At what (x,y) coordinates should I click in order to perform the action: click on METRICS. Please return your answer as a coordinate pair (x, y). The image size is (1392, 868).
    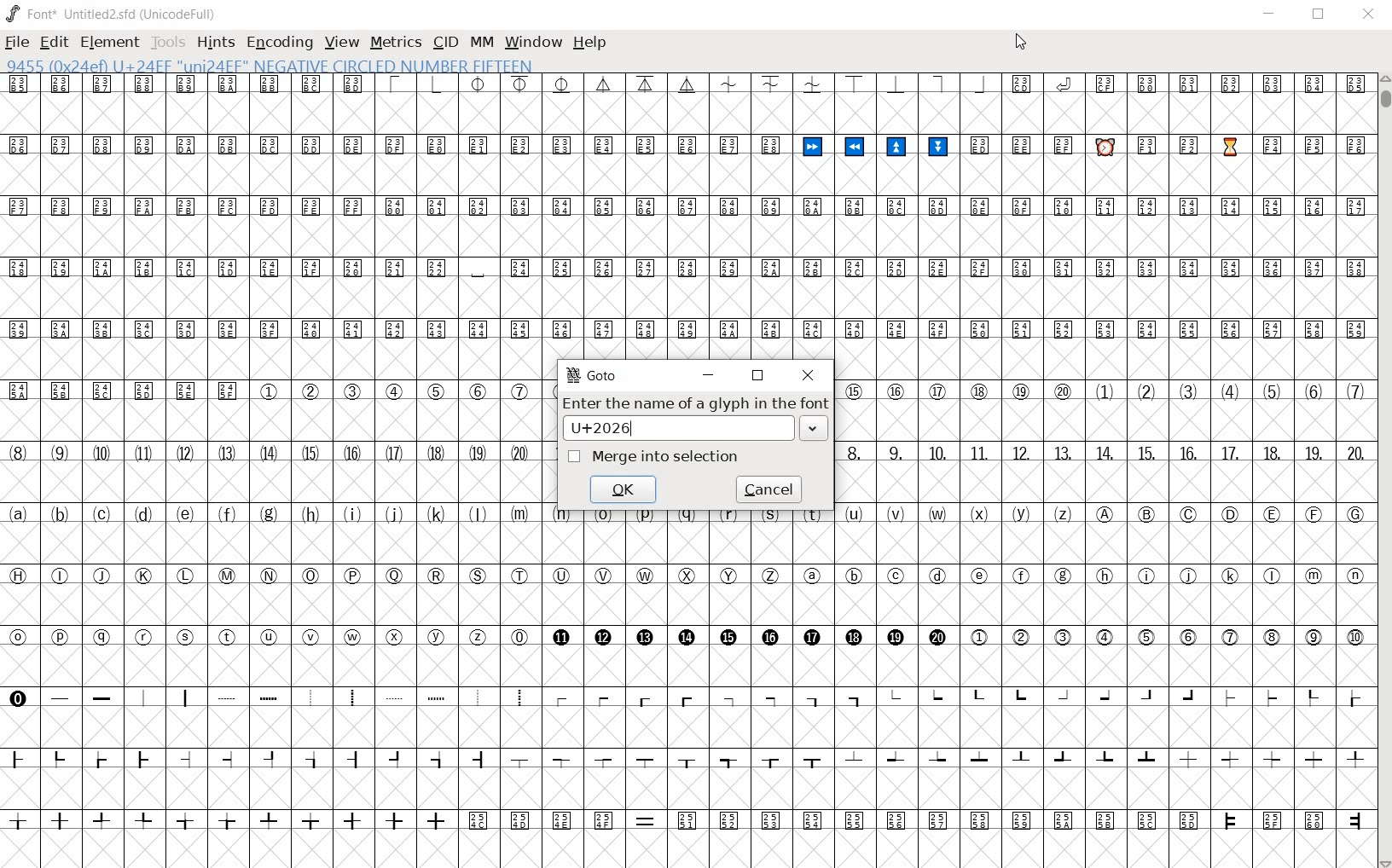
    Looking at the image, I should click on (396, 42).